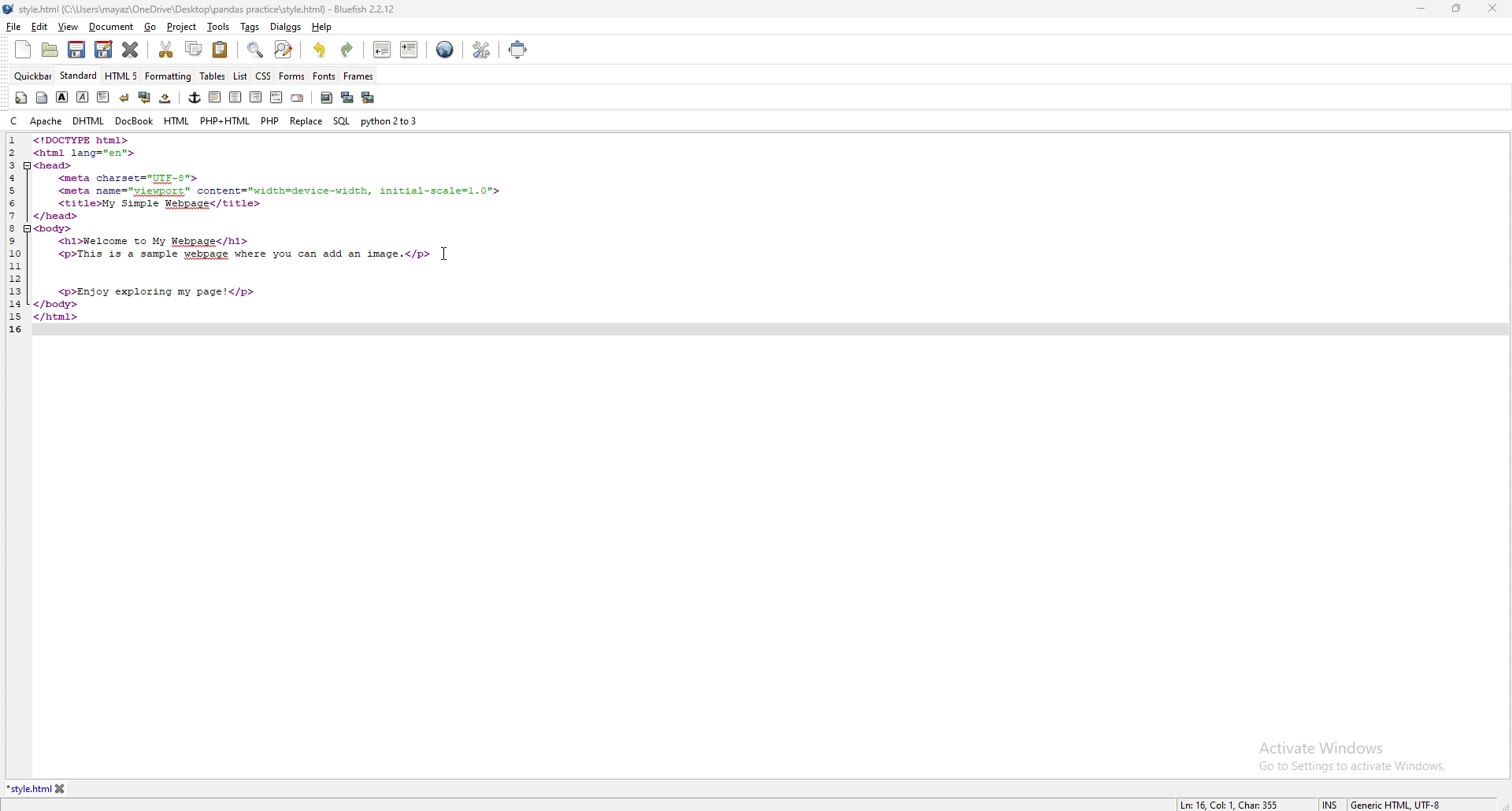 Image resolution: width=1512 pixels, height=811 pixels. What do you see at coordinates (165, 50) in the screenshot?
I see `cut` at bounding box center [165, 50].